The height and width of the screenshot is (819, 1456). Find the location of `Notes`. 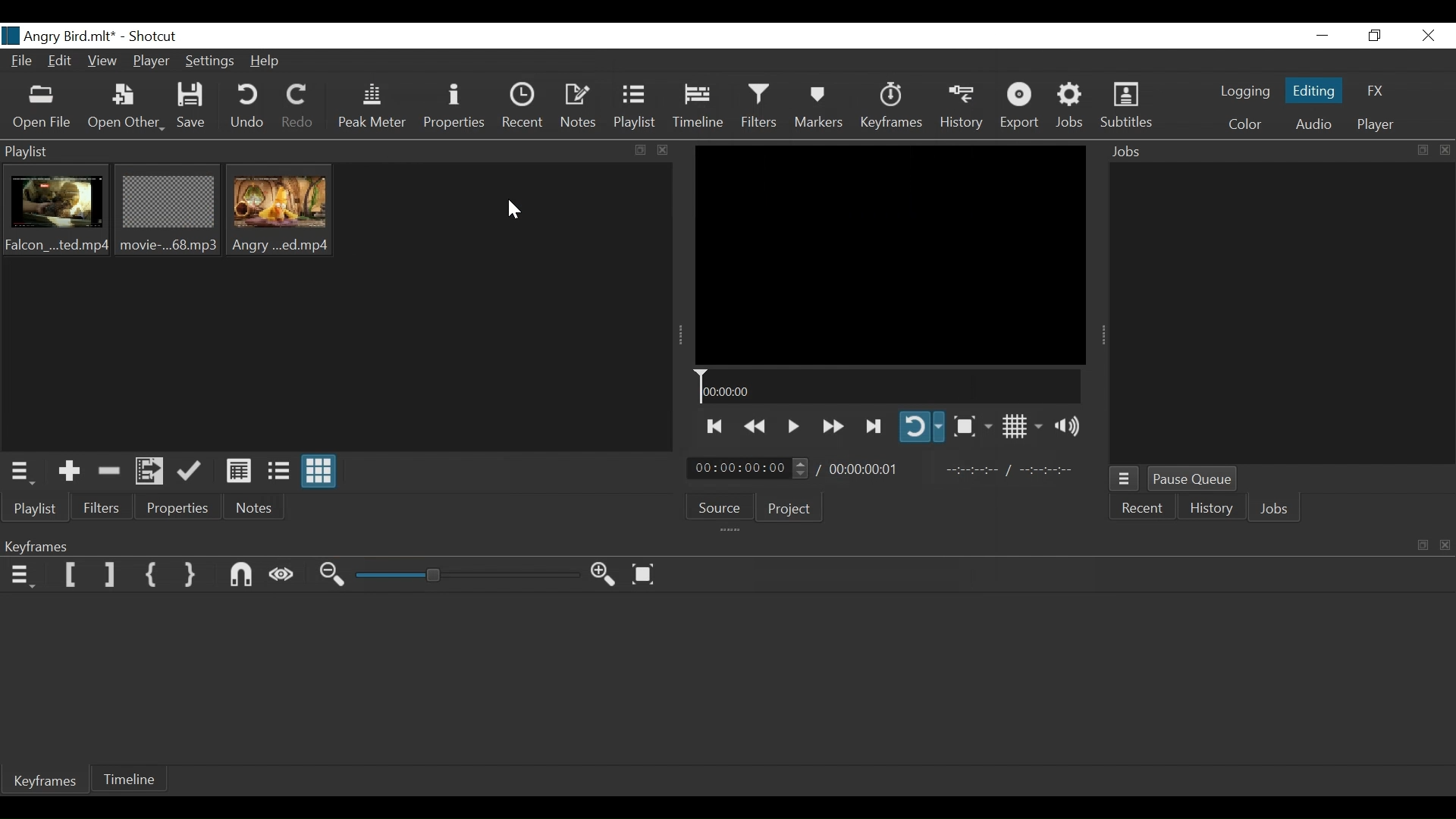

Notes is located at coordinates (251, 509).